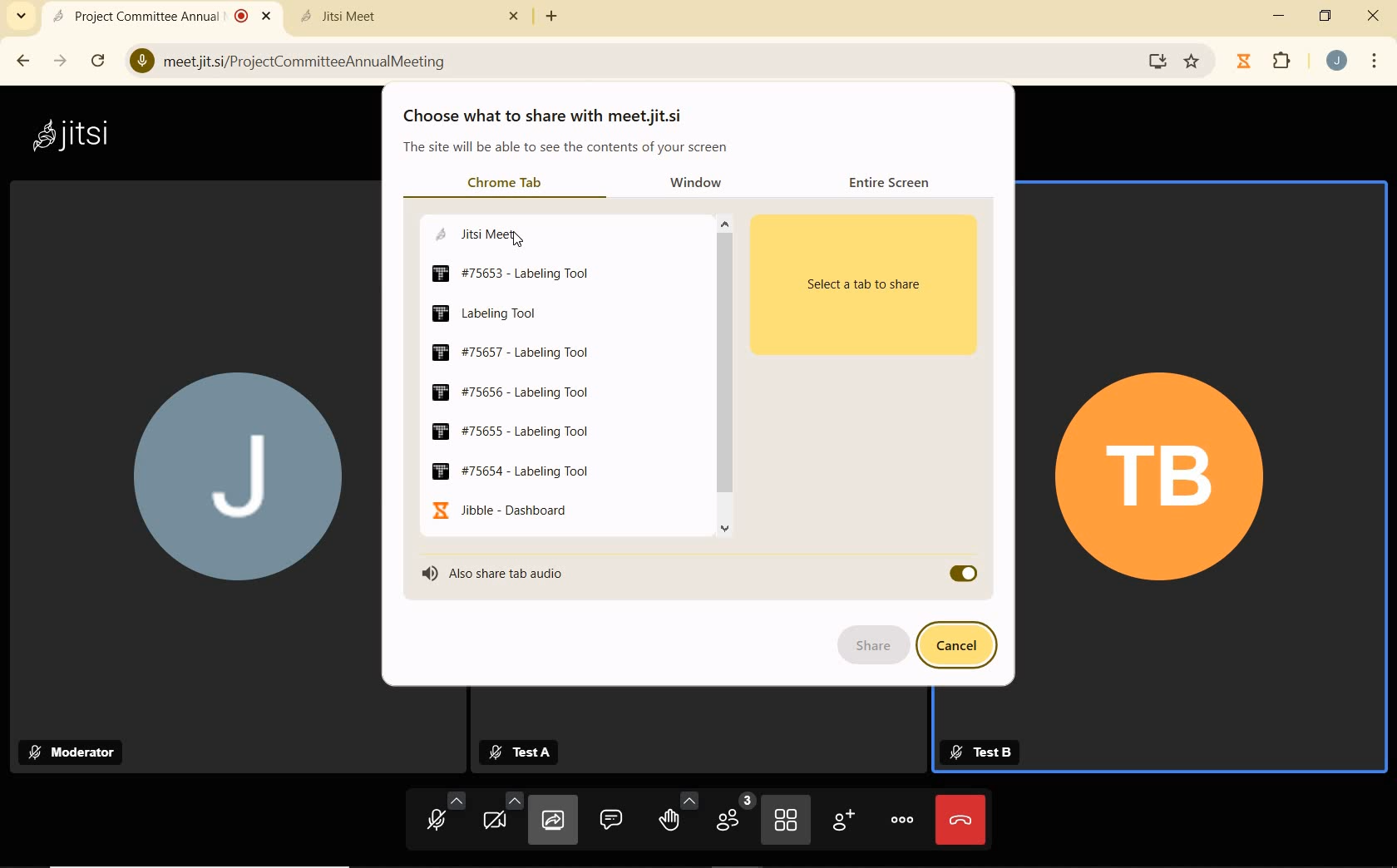 This screenshot has width=1397, height=868. I want to click on CUSTOMIZE GOOGLE CHROME, so click(1375, 62).